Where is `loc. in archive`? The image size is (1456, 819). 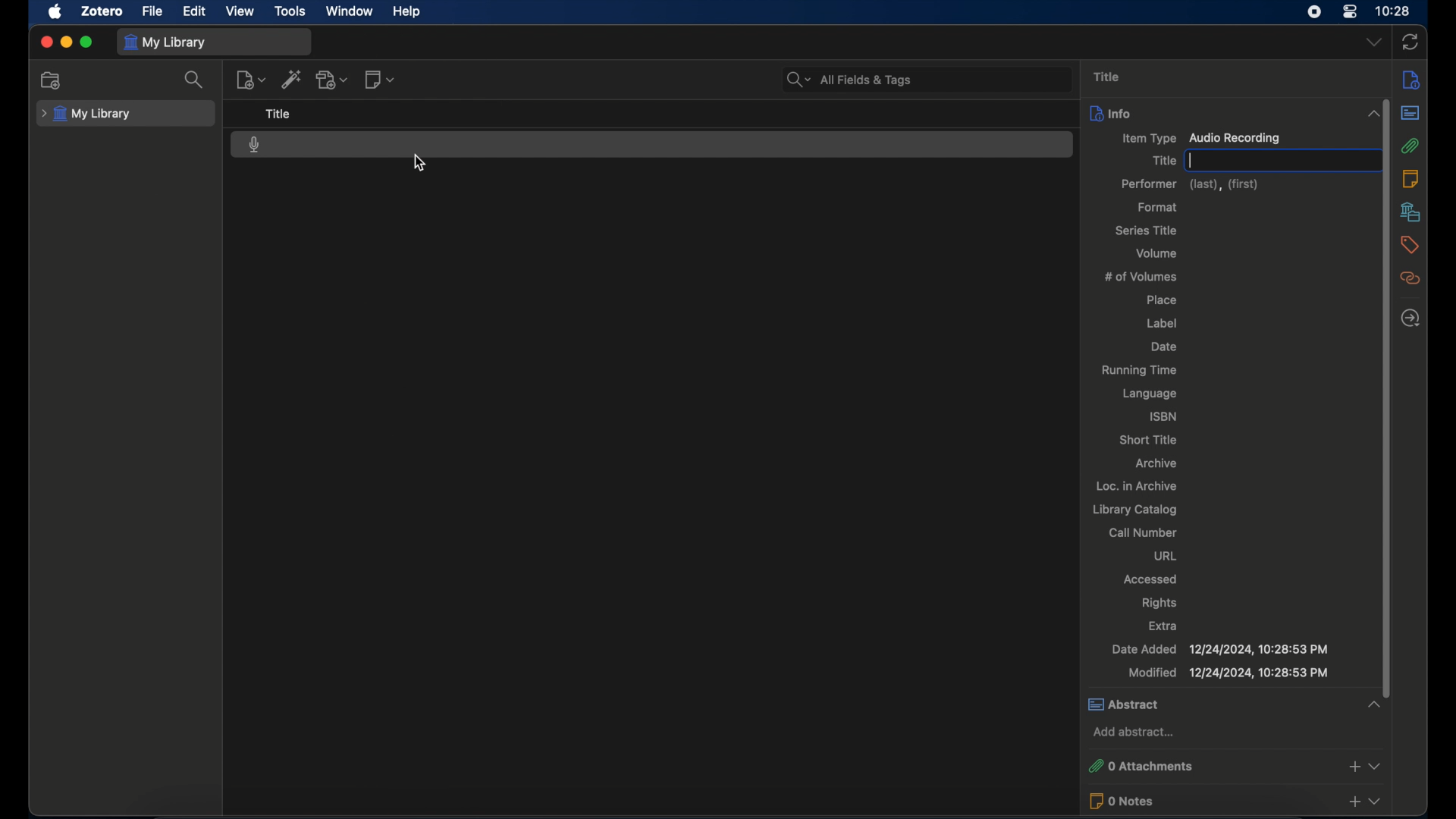
loc. in archive is located at coordinates (1137, 486).